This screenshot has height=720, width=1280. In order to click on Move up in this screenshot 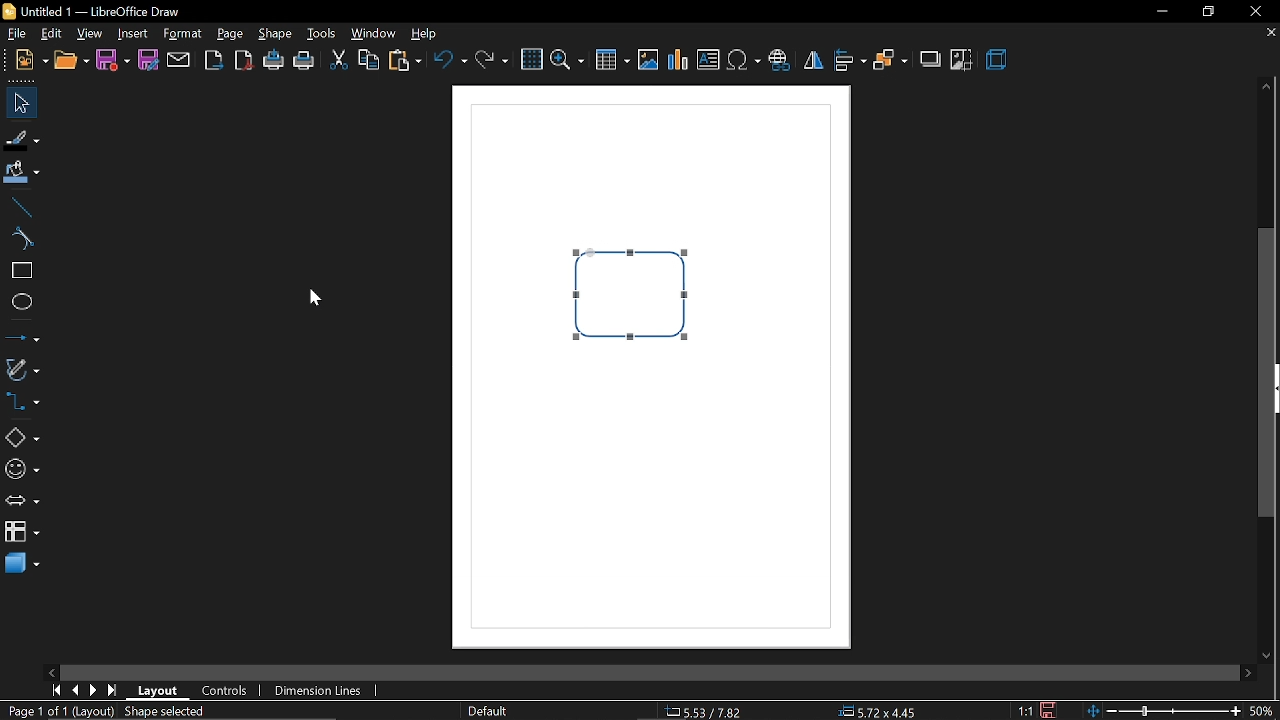, I will do `click(1267, 85)`.